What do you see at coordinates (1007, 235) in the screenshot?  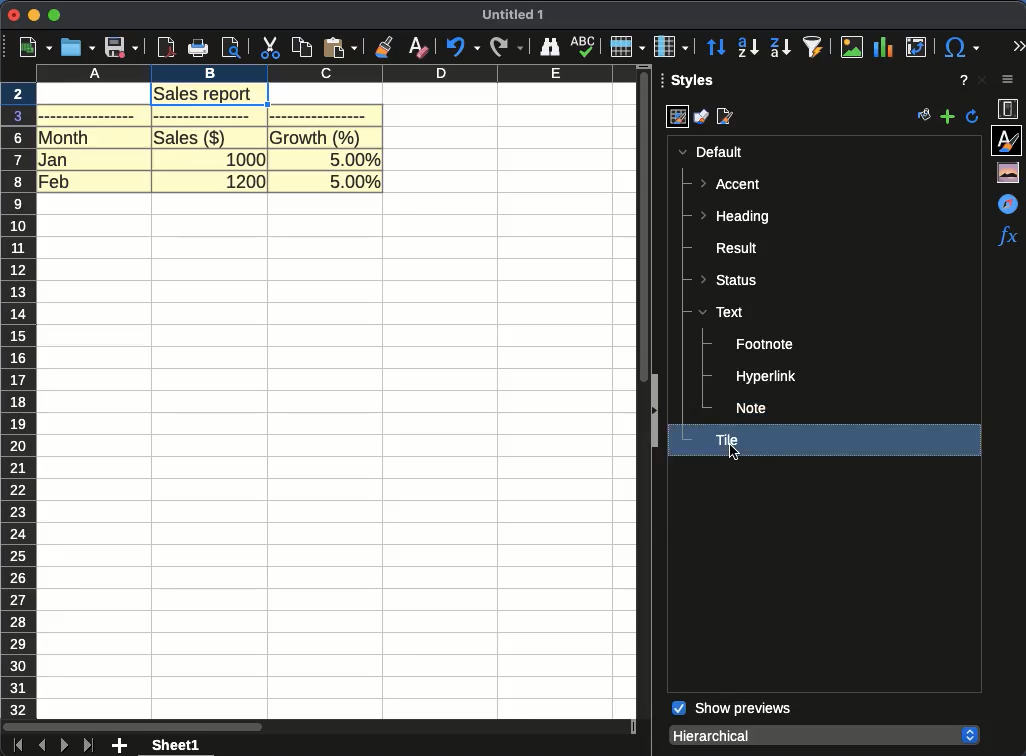 I see `functions` at bounding box center [1007, 235].